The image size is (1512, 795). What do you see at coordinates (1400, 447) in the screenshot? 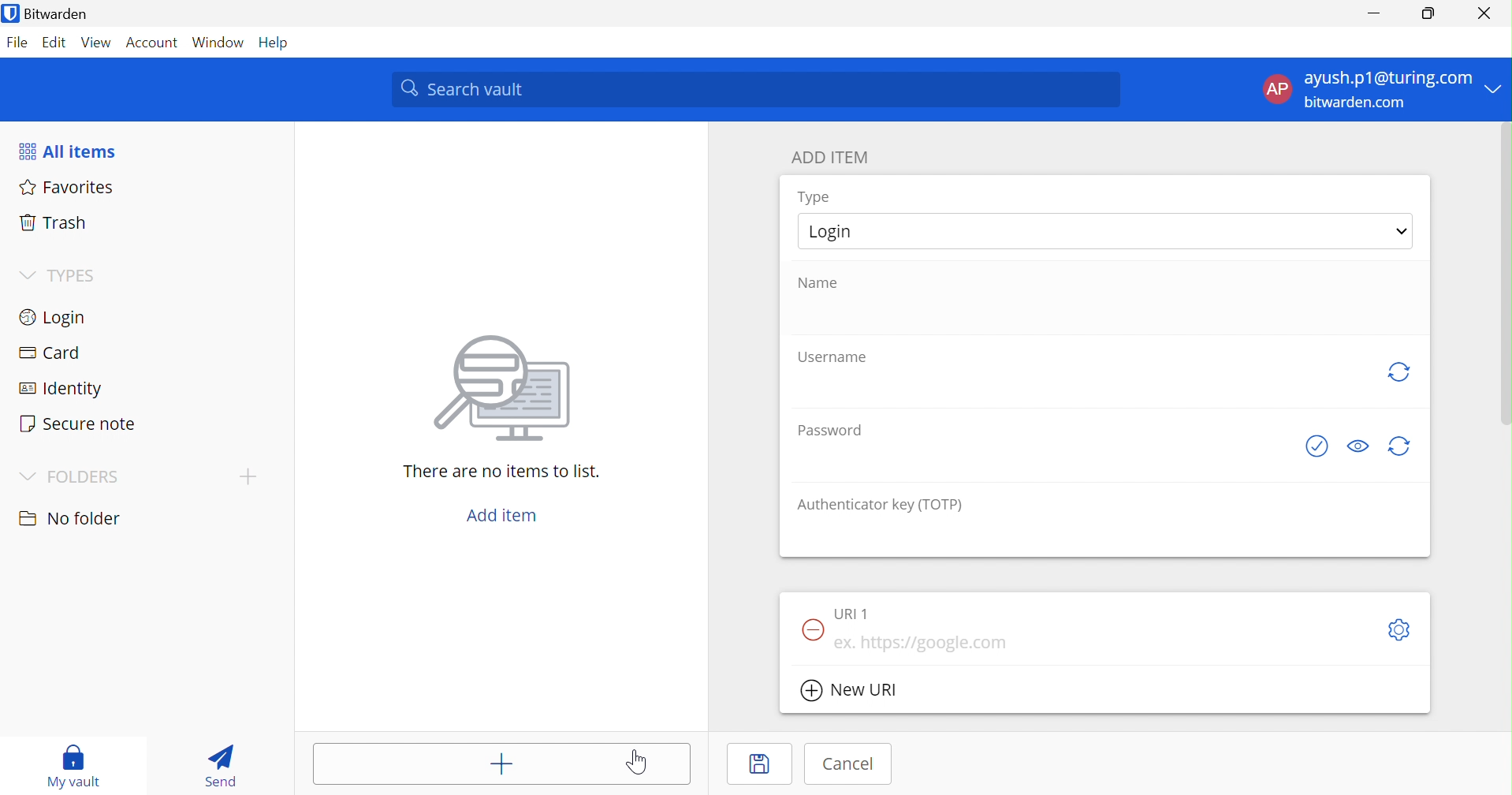
I see `generate password` at bounding box center [1400, 447].